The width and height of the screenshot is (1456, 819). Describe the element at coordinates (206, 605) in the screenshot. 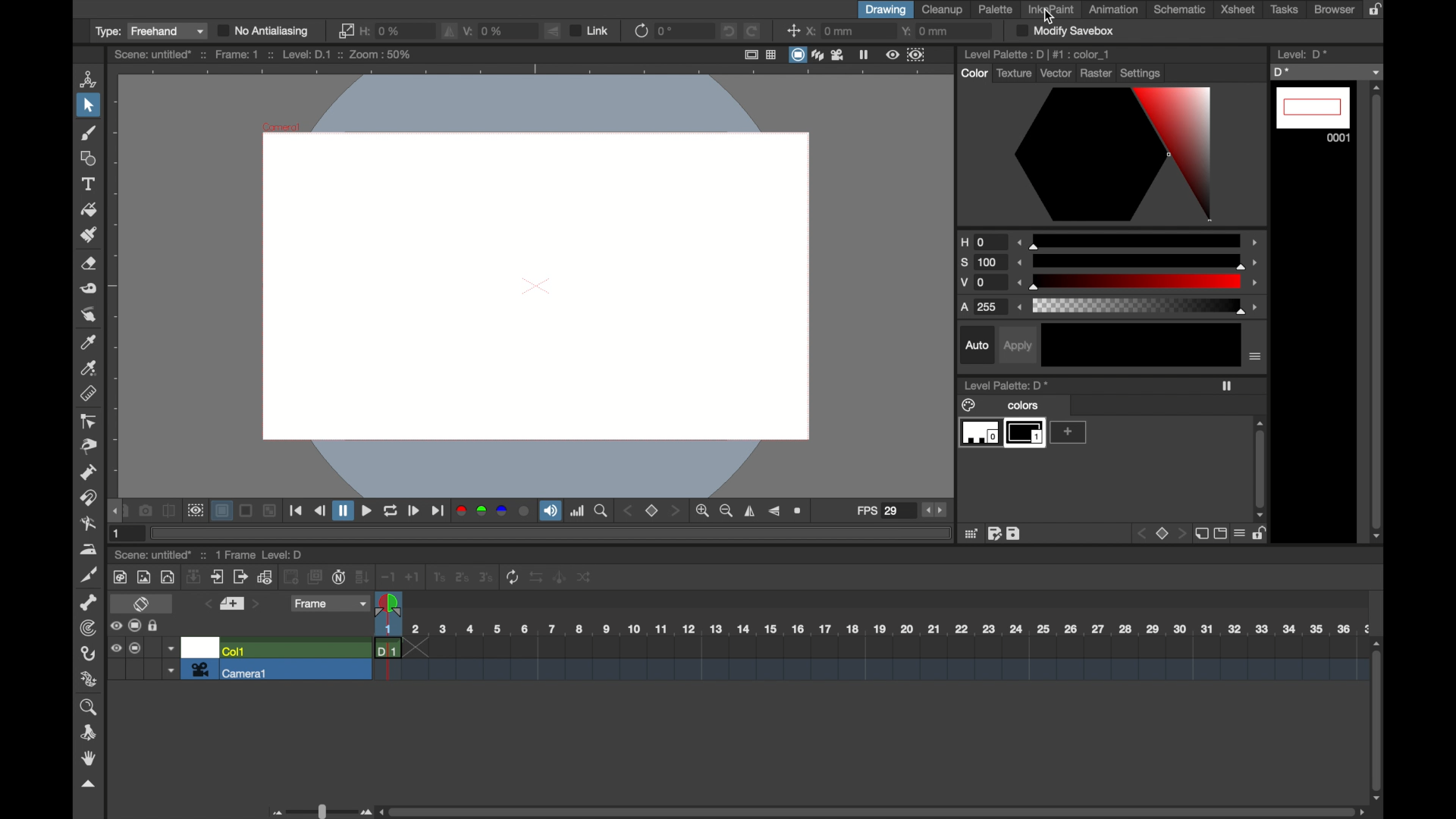

I see `prev frame` at that location.